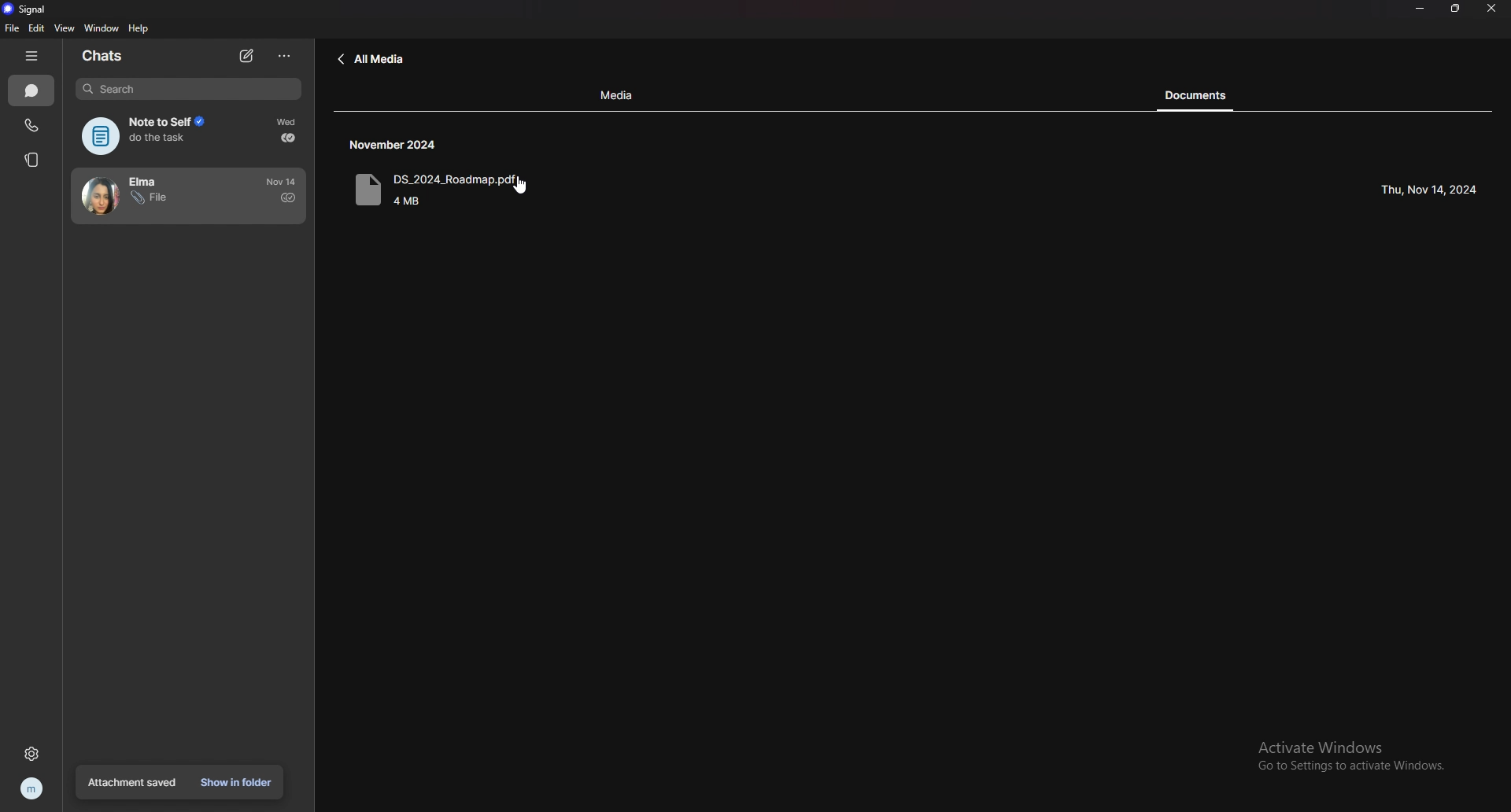 This screenshot has height=812, width=1511. Describe the element at coordinates (105, 57) in the screenshot. I see `chats` at that location.